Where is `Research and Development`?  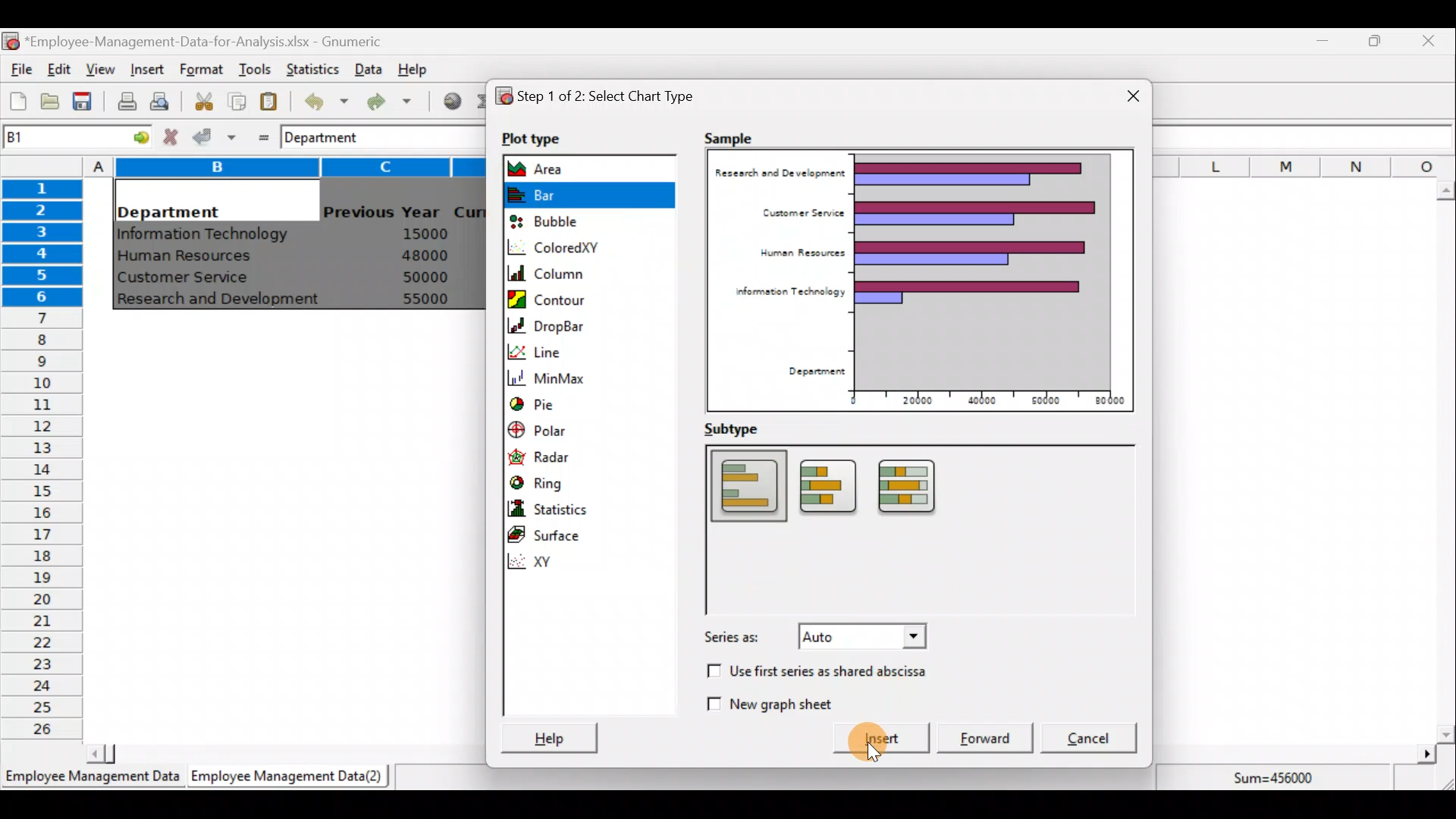
Research and Development is located at coordinates (782, 177).